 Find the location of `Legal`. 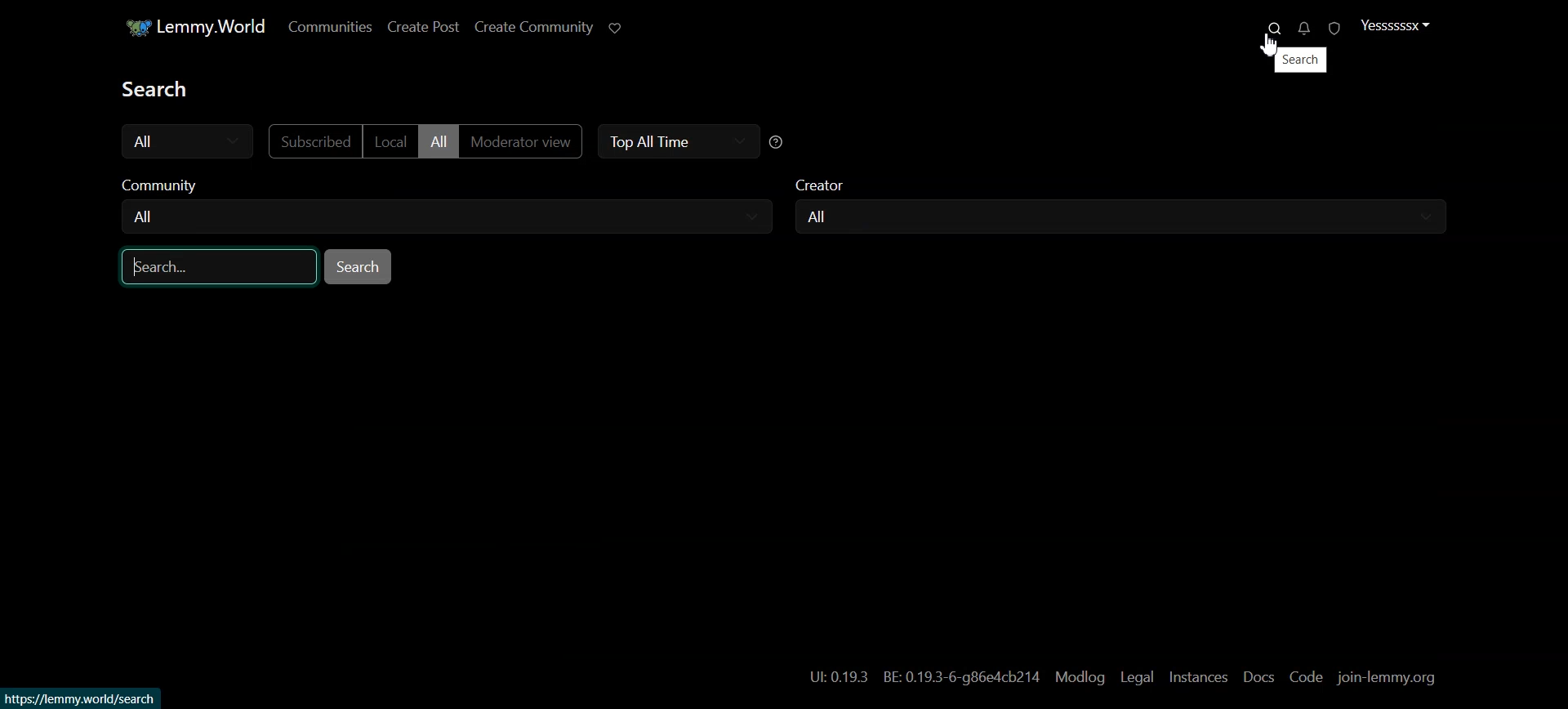

Legal is located at coordinates (1135, 677).